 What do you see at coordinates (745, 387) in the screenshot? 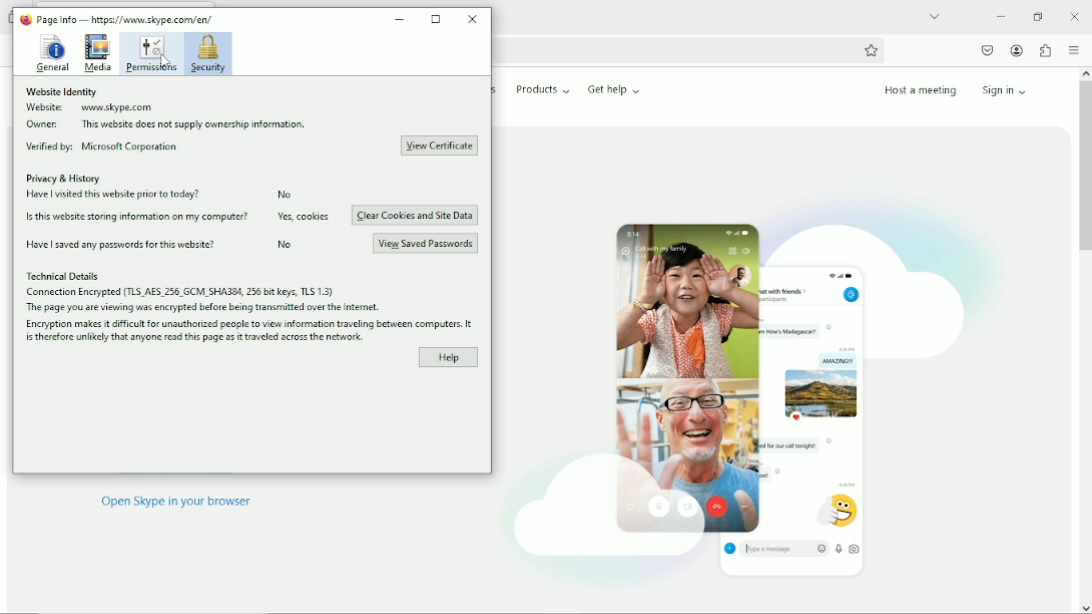
I see `Videocall/chat` at bounding box center [745, 387].